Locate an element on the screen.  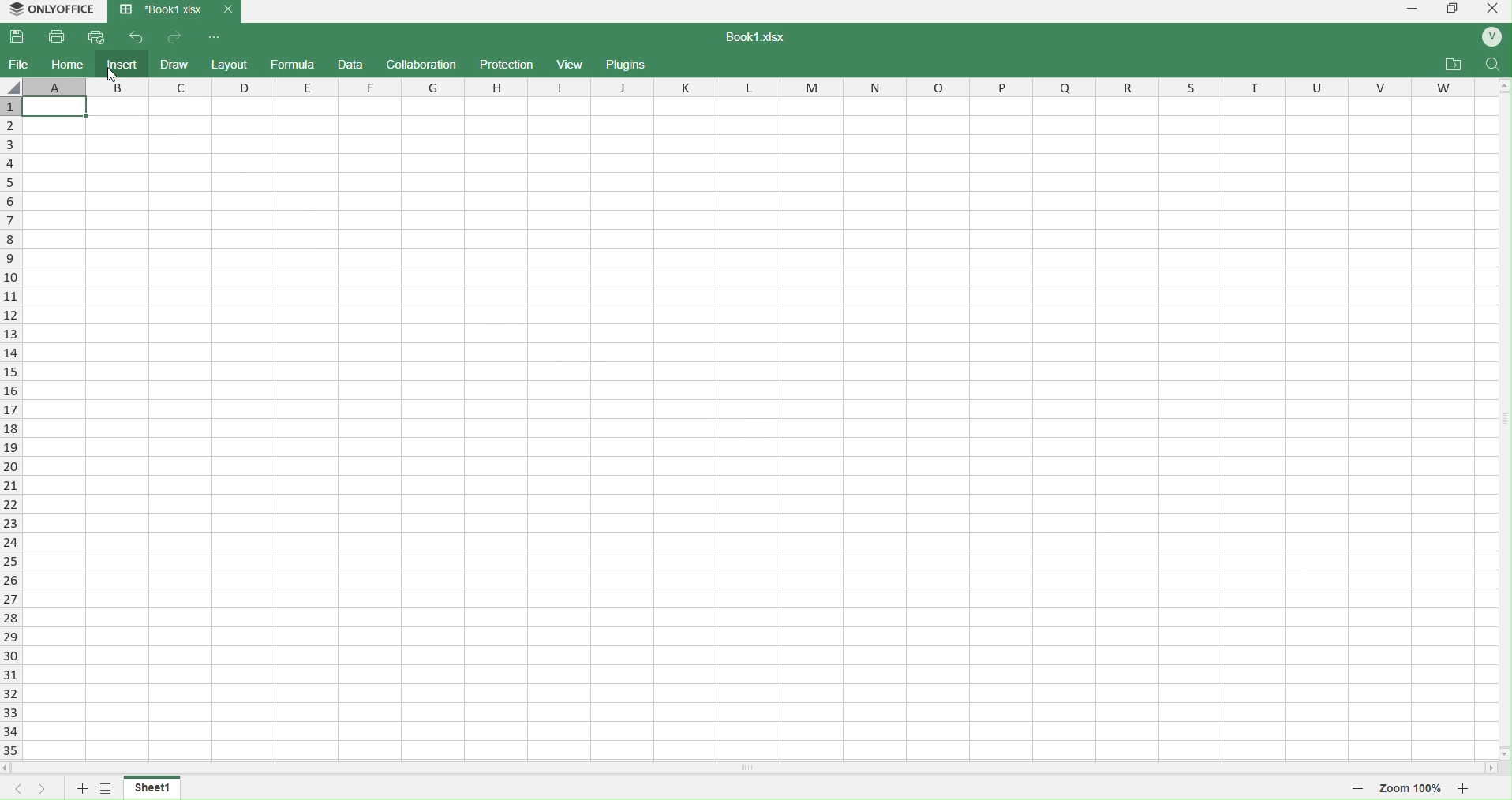
file is located at coordinates (19, 64).